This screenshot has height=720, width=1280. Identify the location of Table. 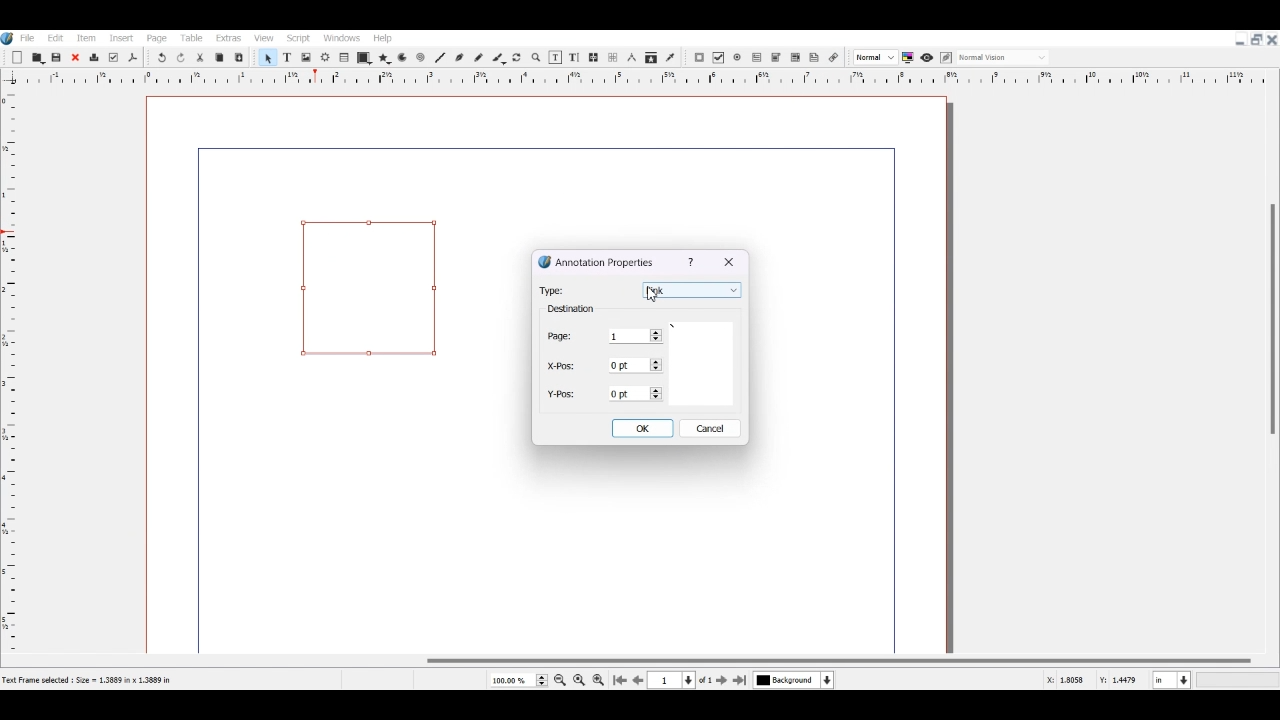
(191, 38).